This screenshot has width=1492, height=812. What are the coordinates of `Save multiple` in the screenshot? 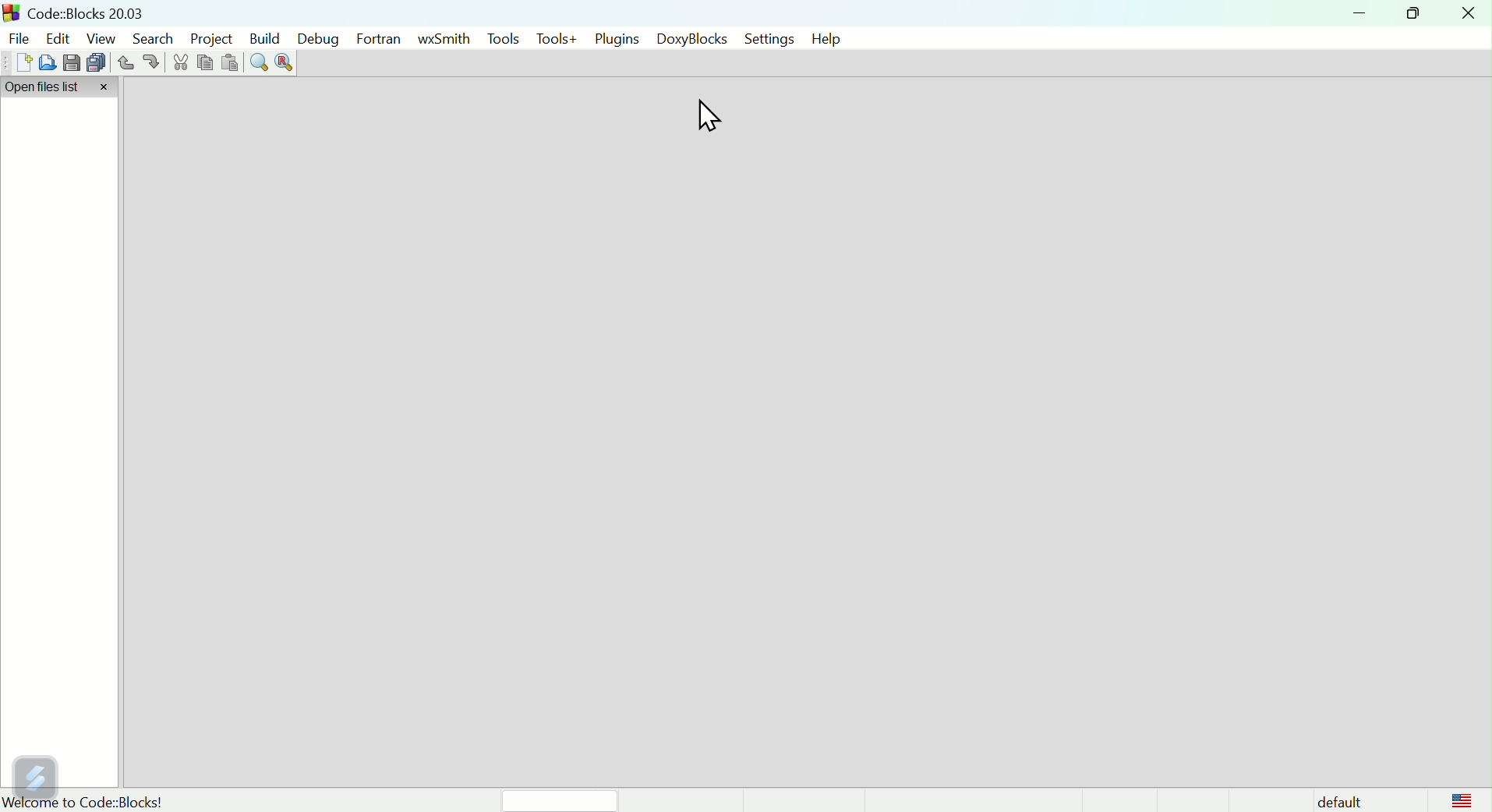 It's located at (97, 62).